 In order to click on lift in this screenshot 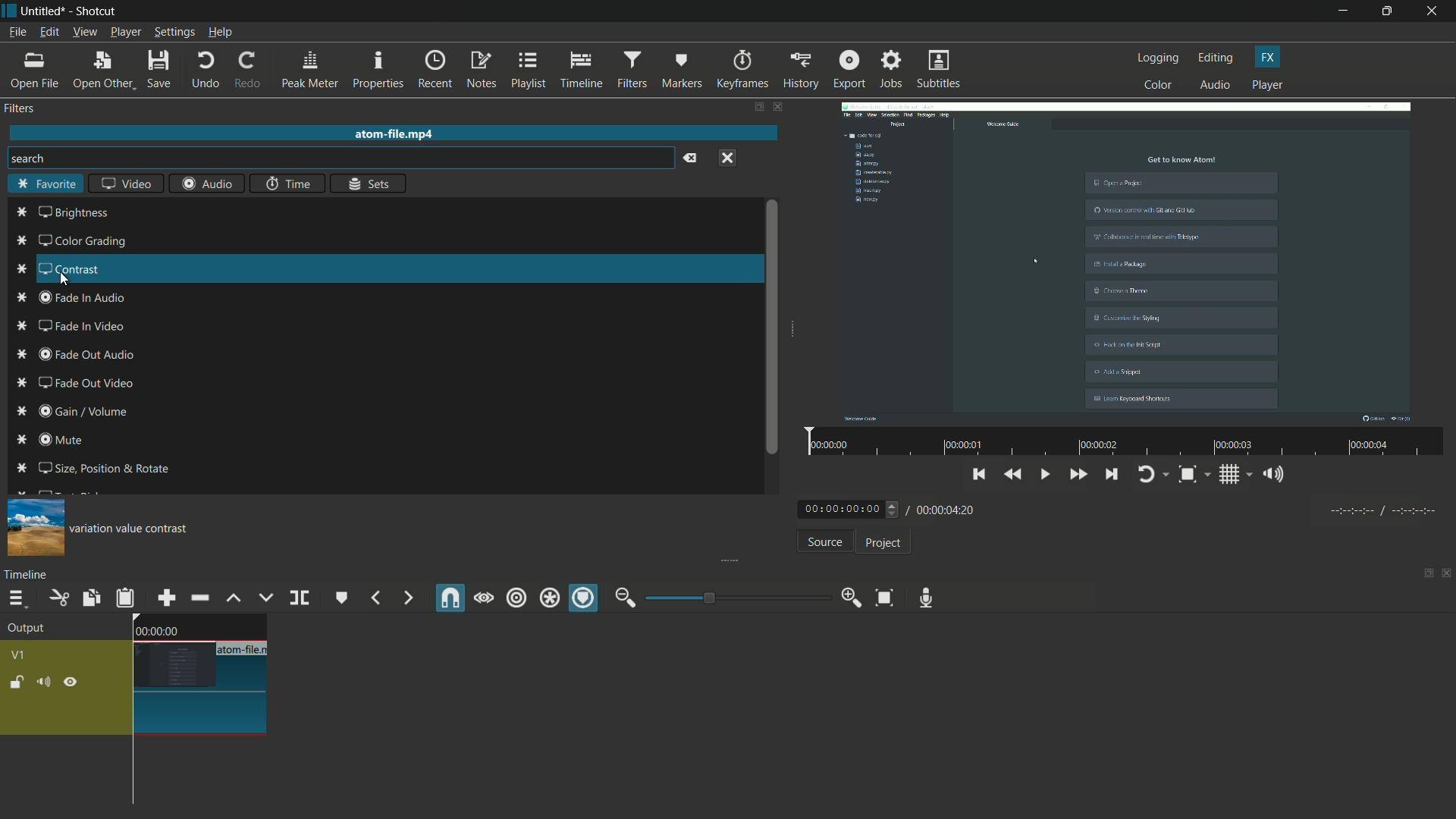, I will do `click(233, 598)`.